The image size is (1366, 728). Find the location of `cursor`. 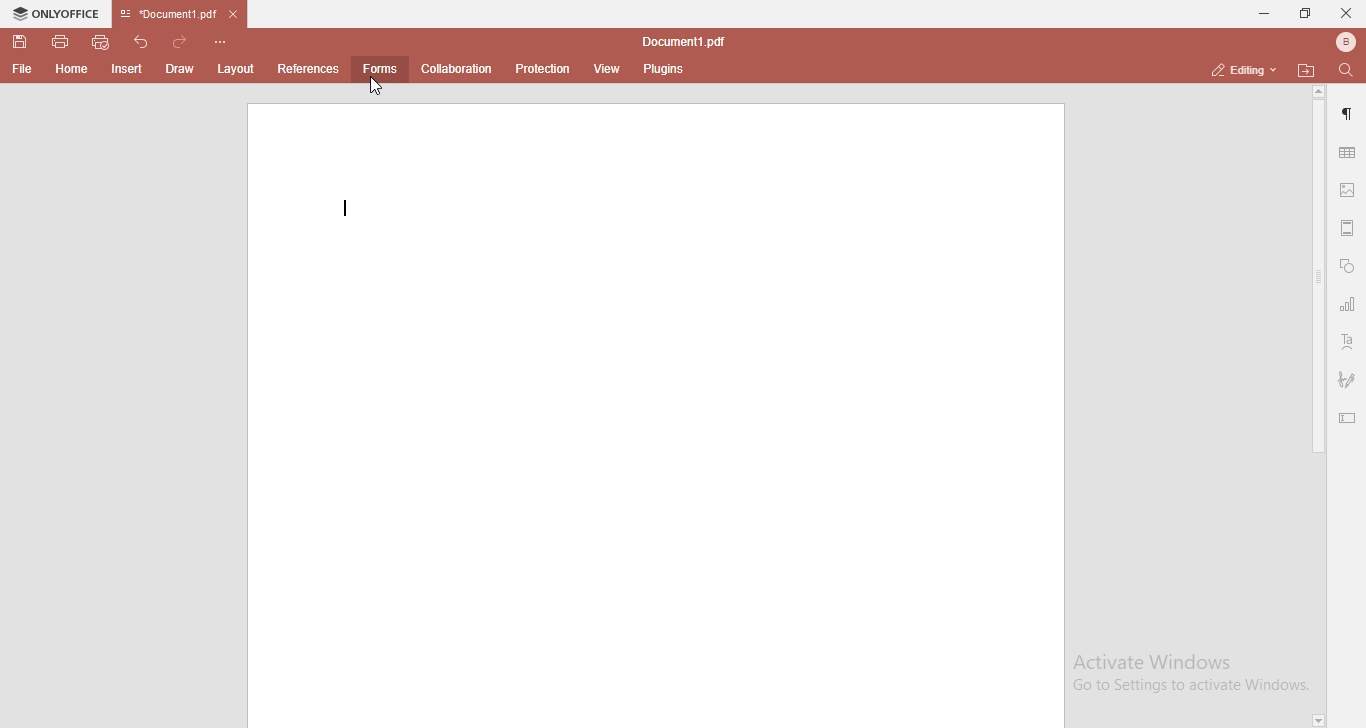

cursor is located at coordinates (381, 87).